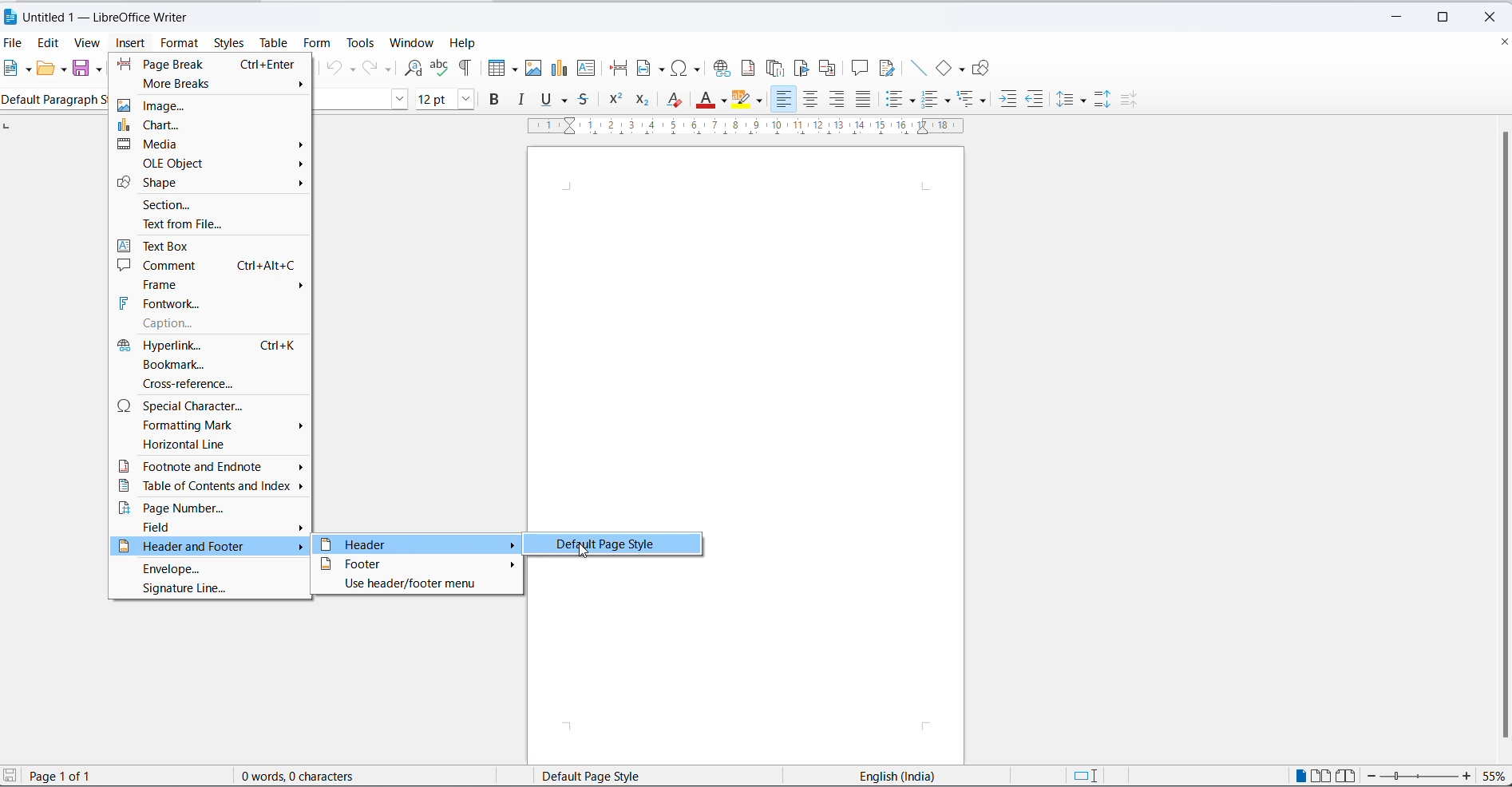 The image size is (1512, 787). I want to click on save, so click(10, 774).